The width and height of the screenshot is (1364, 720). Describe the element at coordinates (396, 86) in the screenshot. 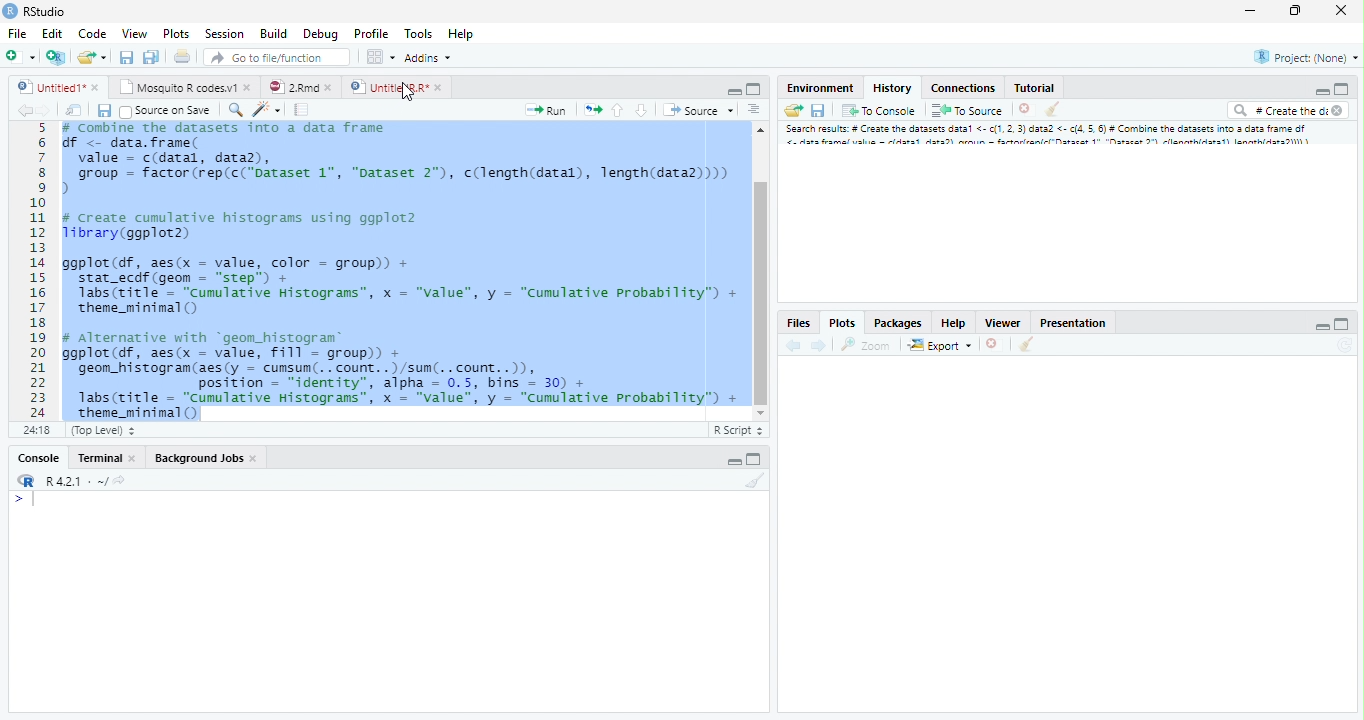

I see `UntitledR.R` at that location.